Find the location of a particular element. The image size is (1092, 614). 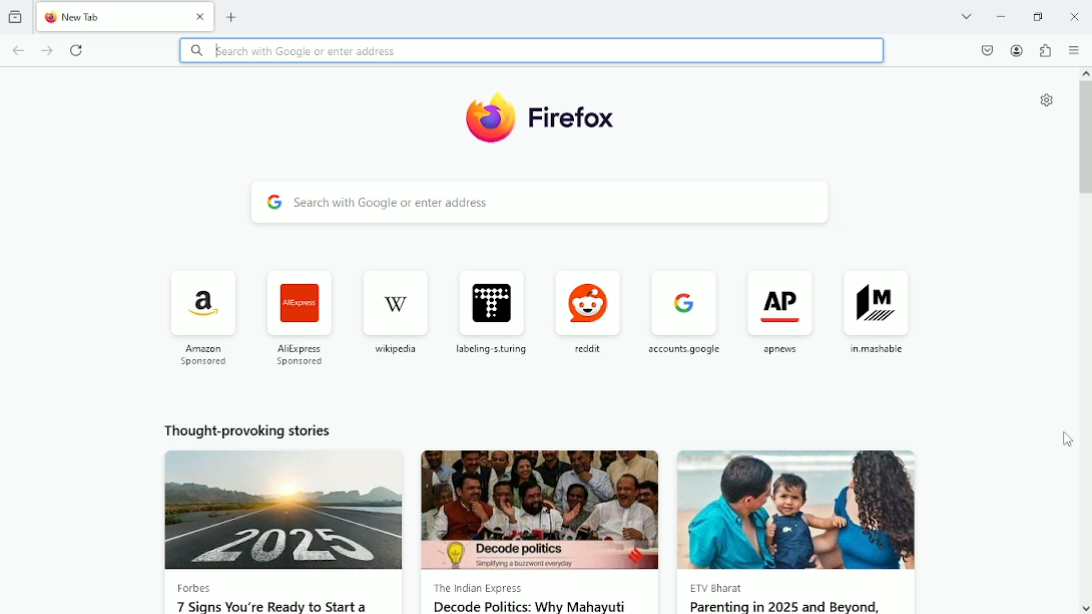

forbes is located at coordinates (199, 589).